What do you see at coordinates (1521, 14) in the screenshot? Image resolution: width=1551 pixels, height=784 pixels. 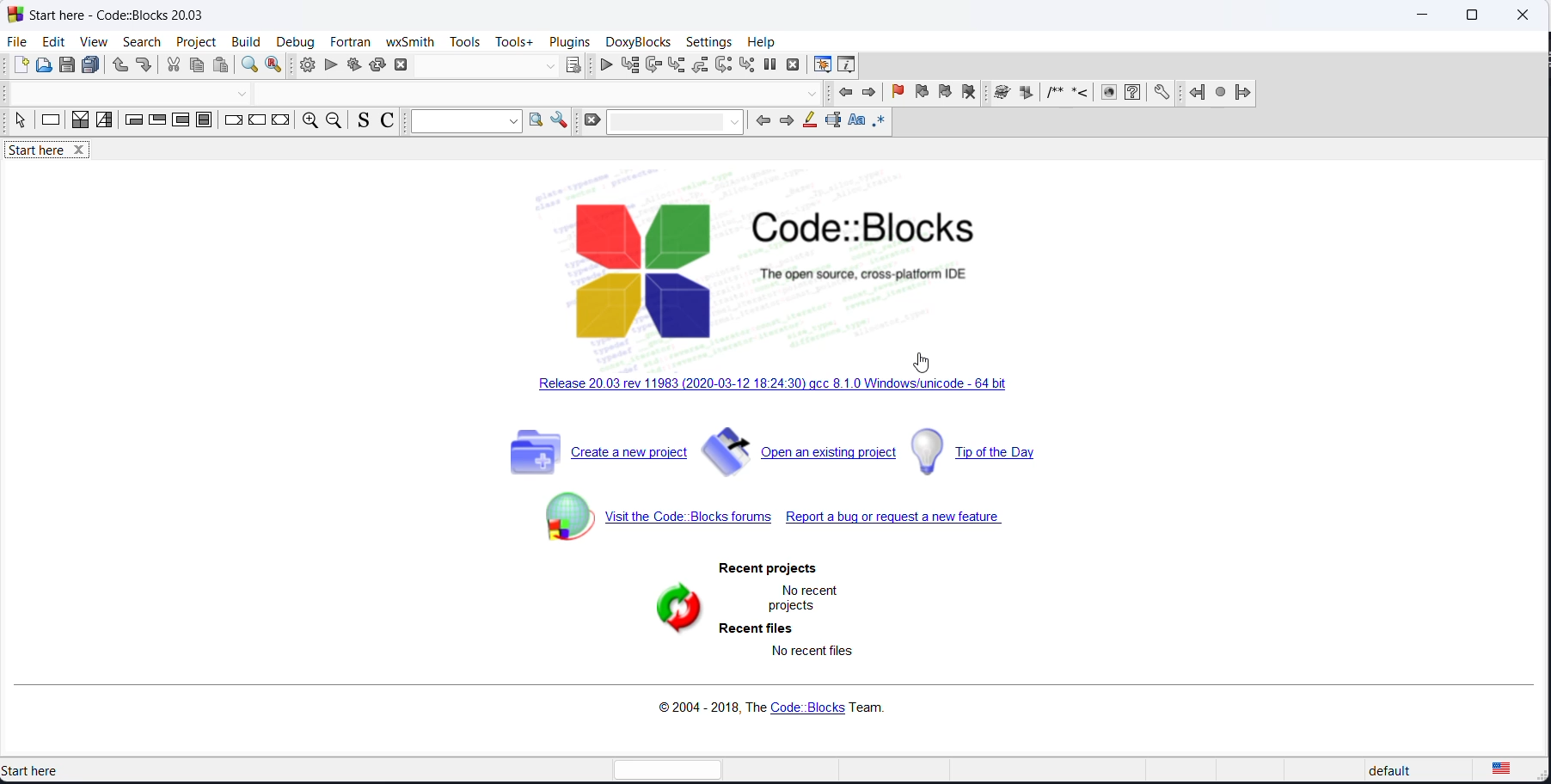 I see `close` at bounding box center [1521, 14].